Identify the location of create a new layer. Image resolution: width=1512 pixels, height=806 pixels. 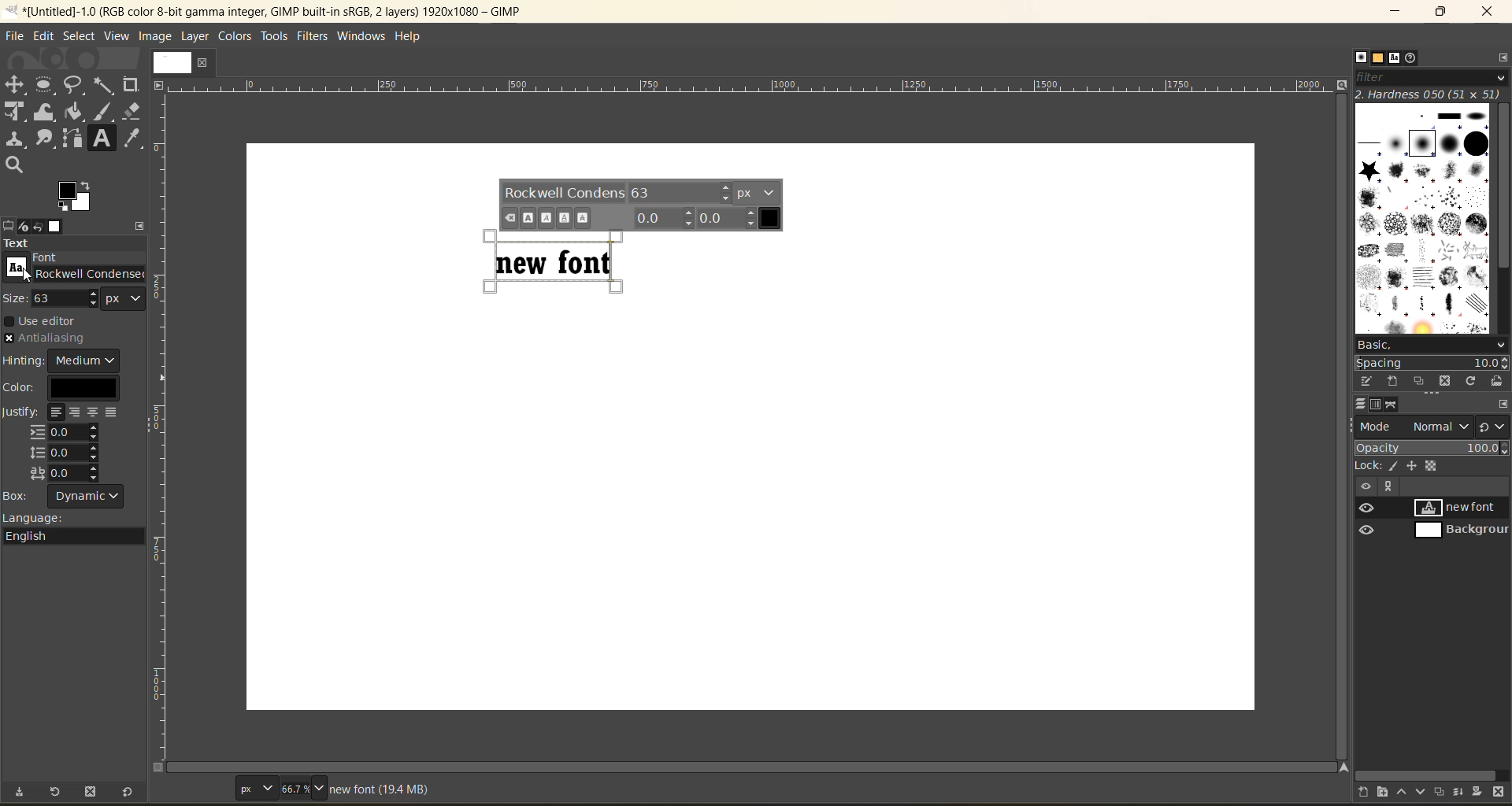
(1370, 793).